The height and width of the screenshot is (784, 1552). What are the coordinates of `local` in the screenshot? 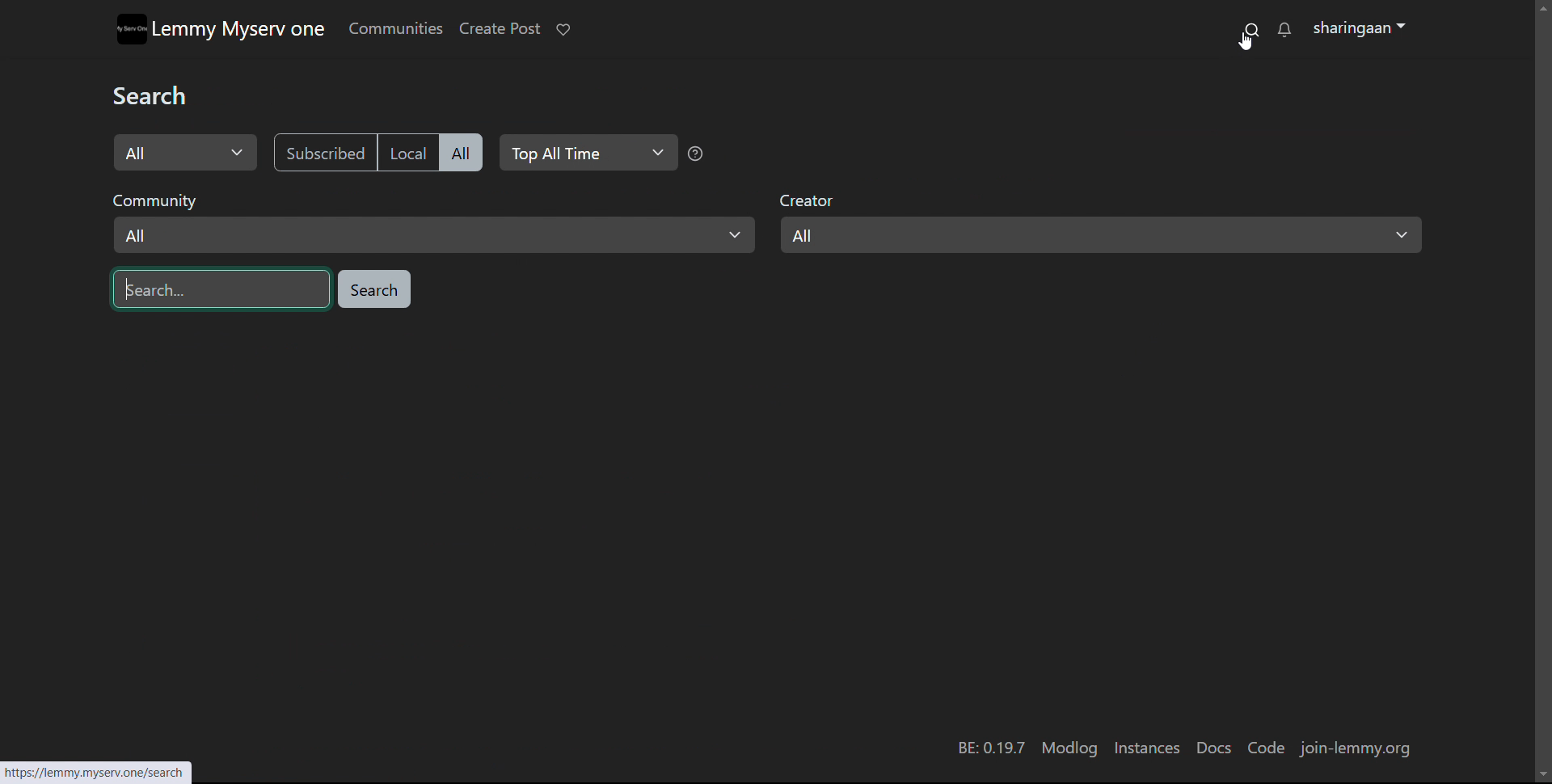 It's located at (406, 151).